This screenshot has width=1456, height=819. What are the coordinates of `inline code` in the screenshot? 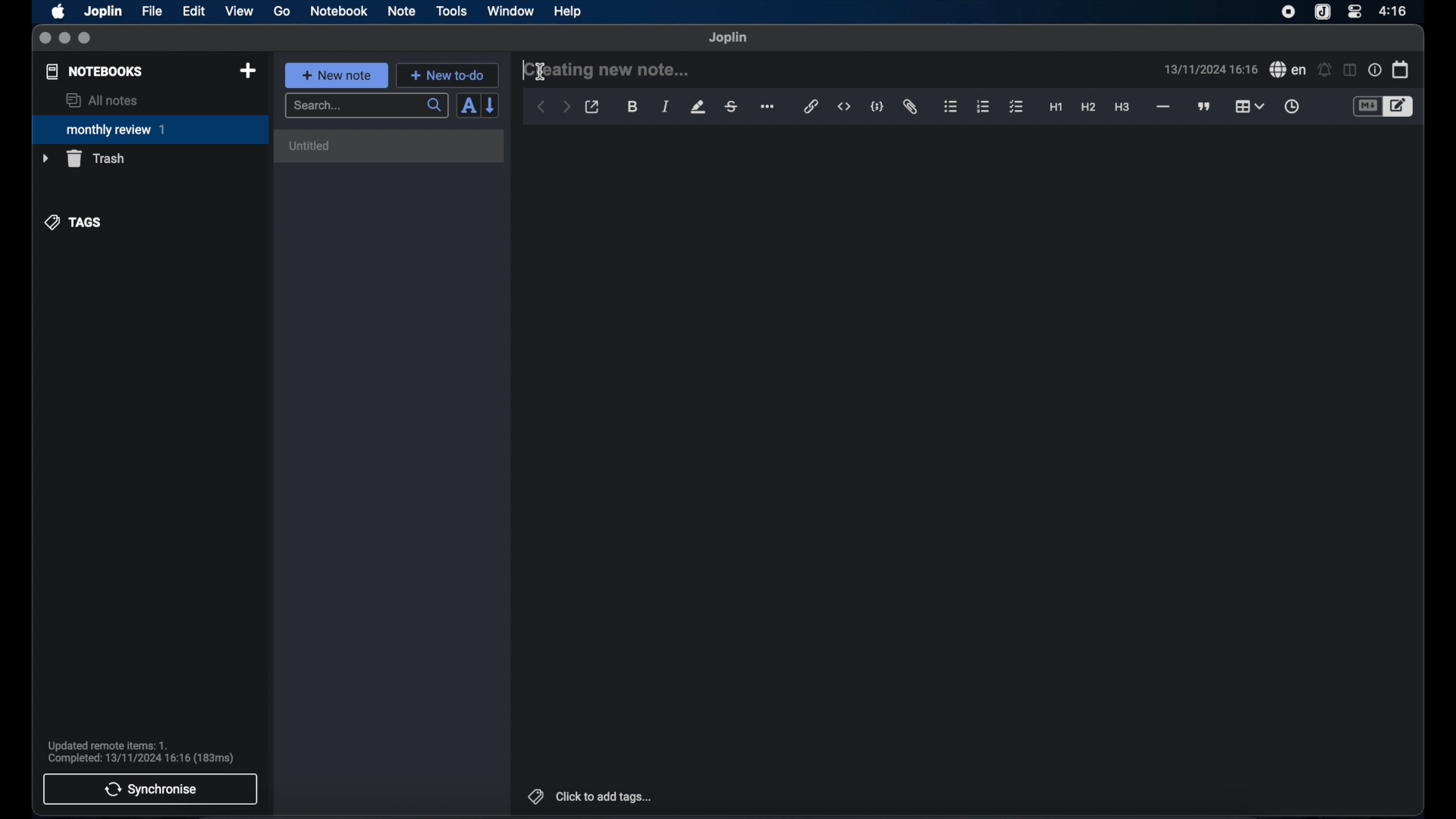 It's located at (844, 107).